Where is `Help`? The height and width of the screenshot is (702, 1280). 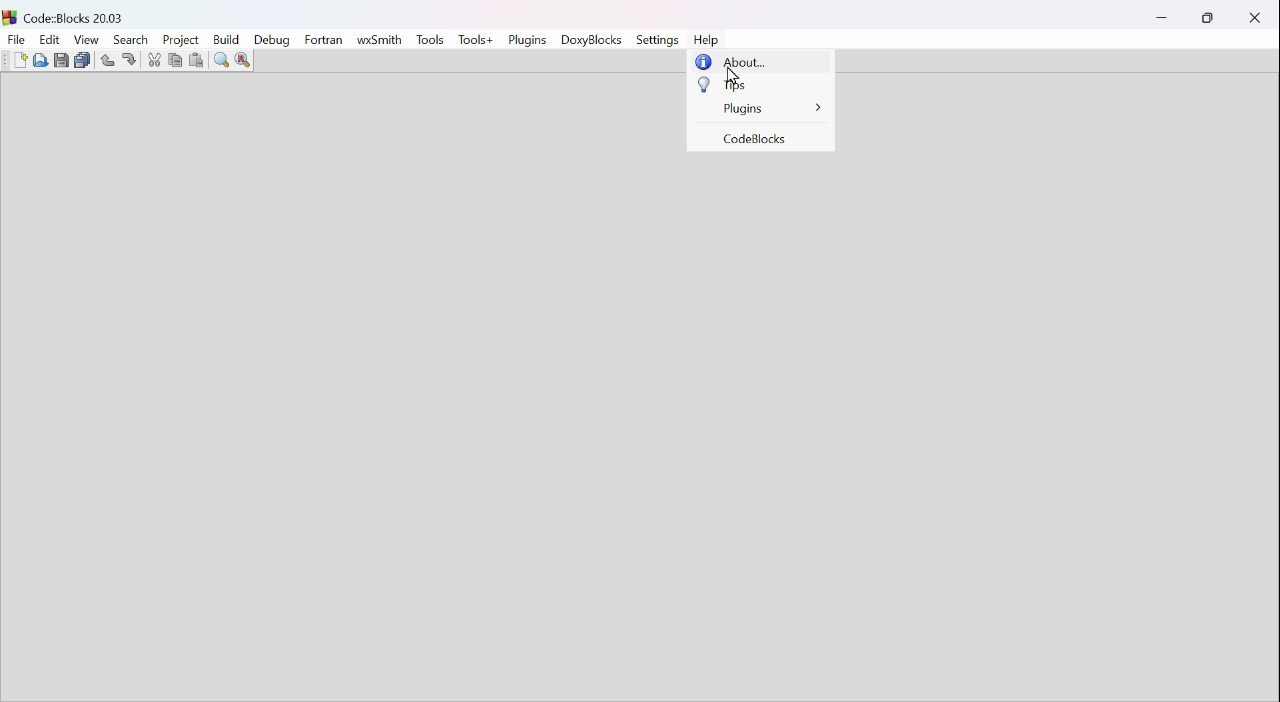 Help is located at coordinates (709, 37).